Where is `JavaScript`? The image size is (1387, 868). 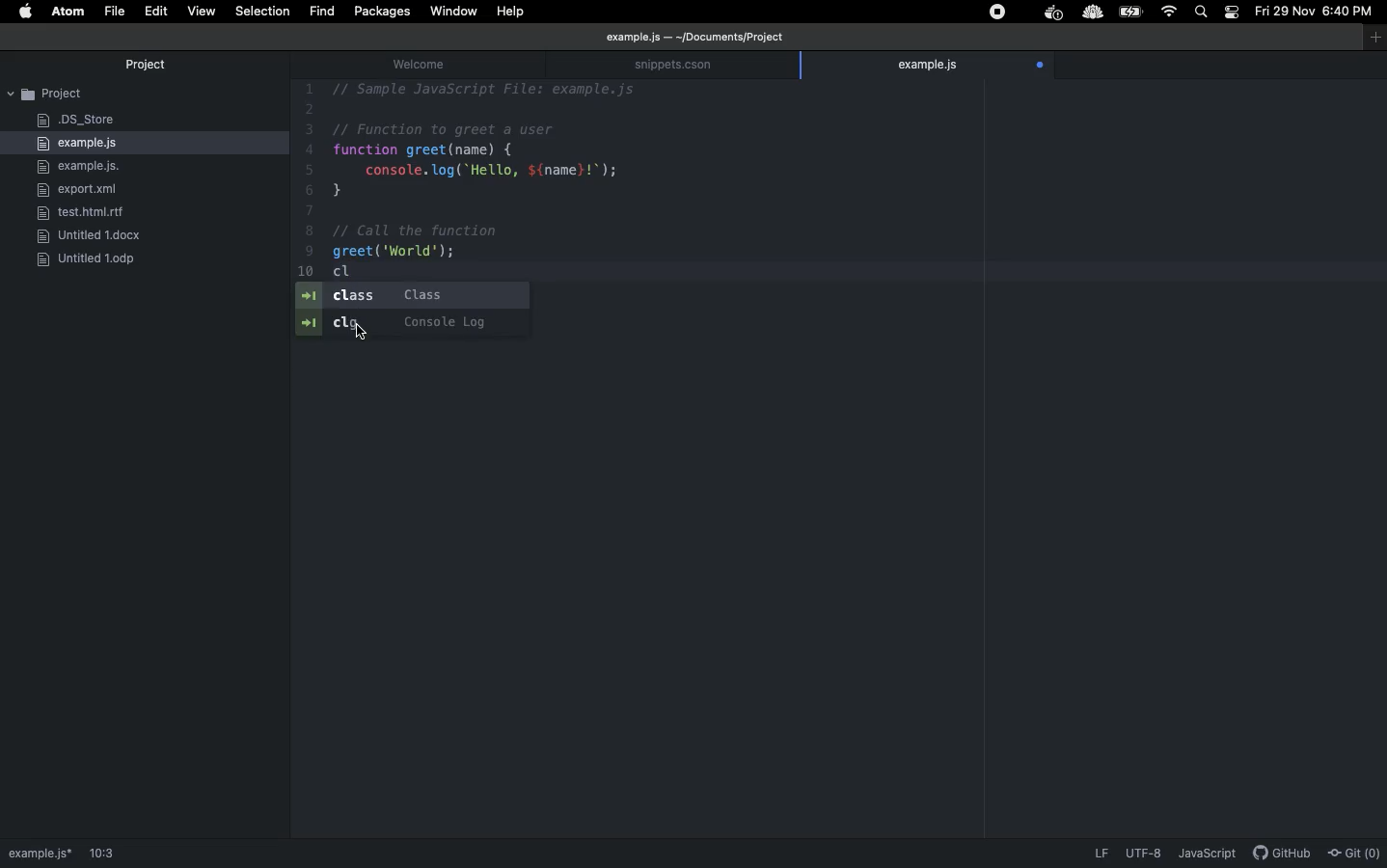 JavaScript is located at coordinates (1210, 855).